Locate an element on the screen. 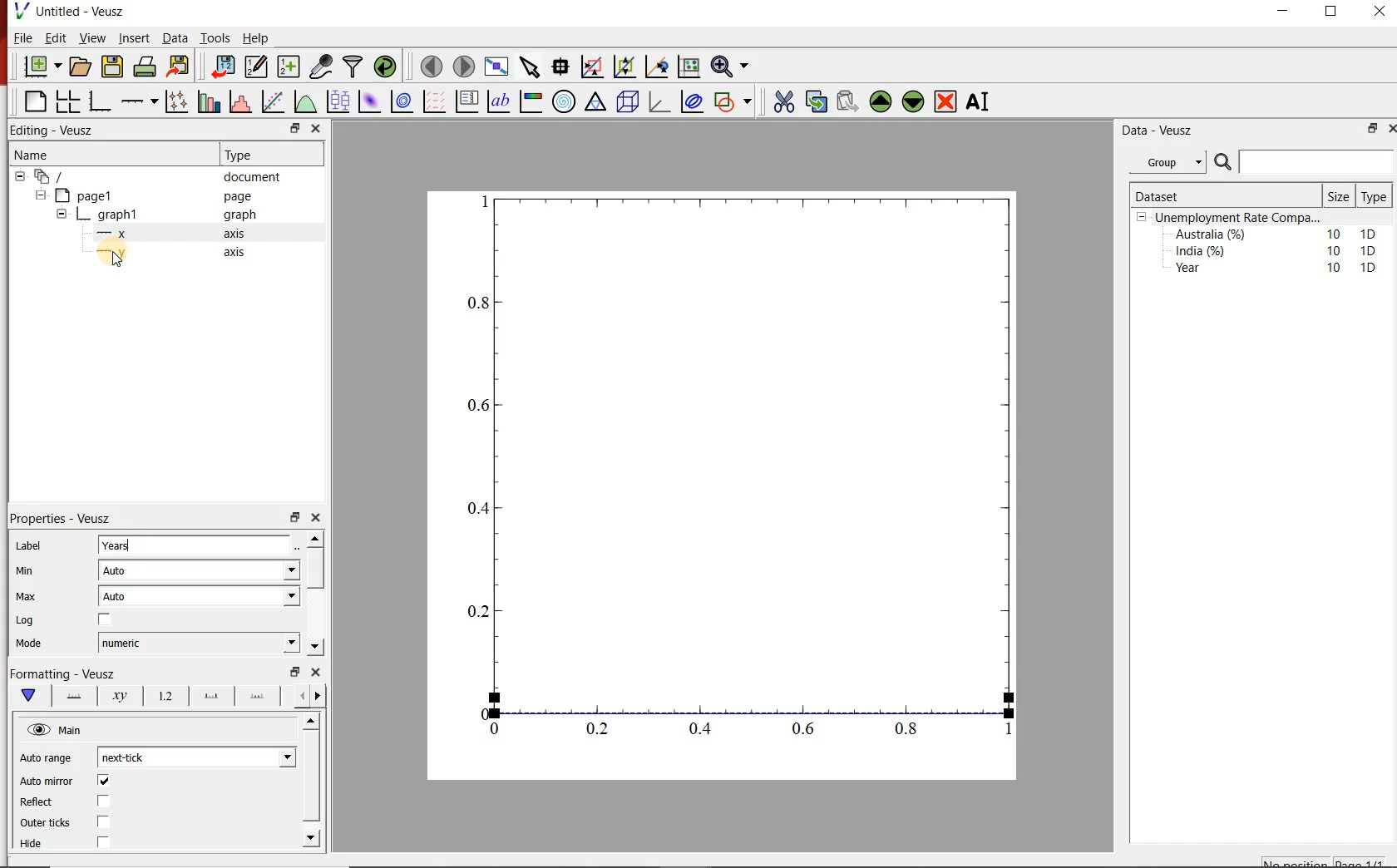 The height and width of the screenshot is (868, 1397). minor ticks is located at coordinates (258, 694).